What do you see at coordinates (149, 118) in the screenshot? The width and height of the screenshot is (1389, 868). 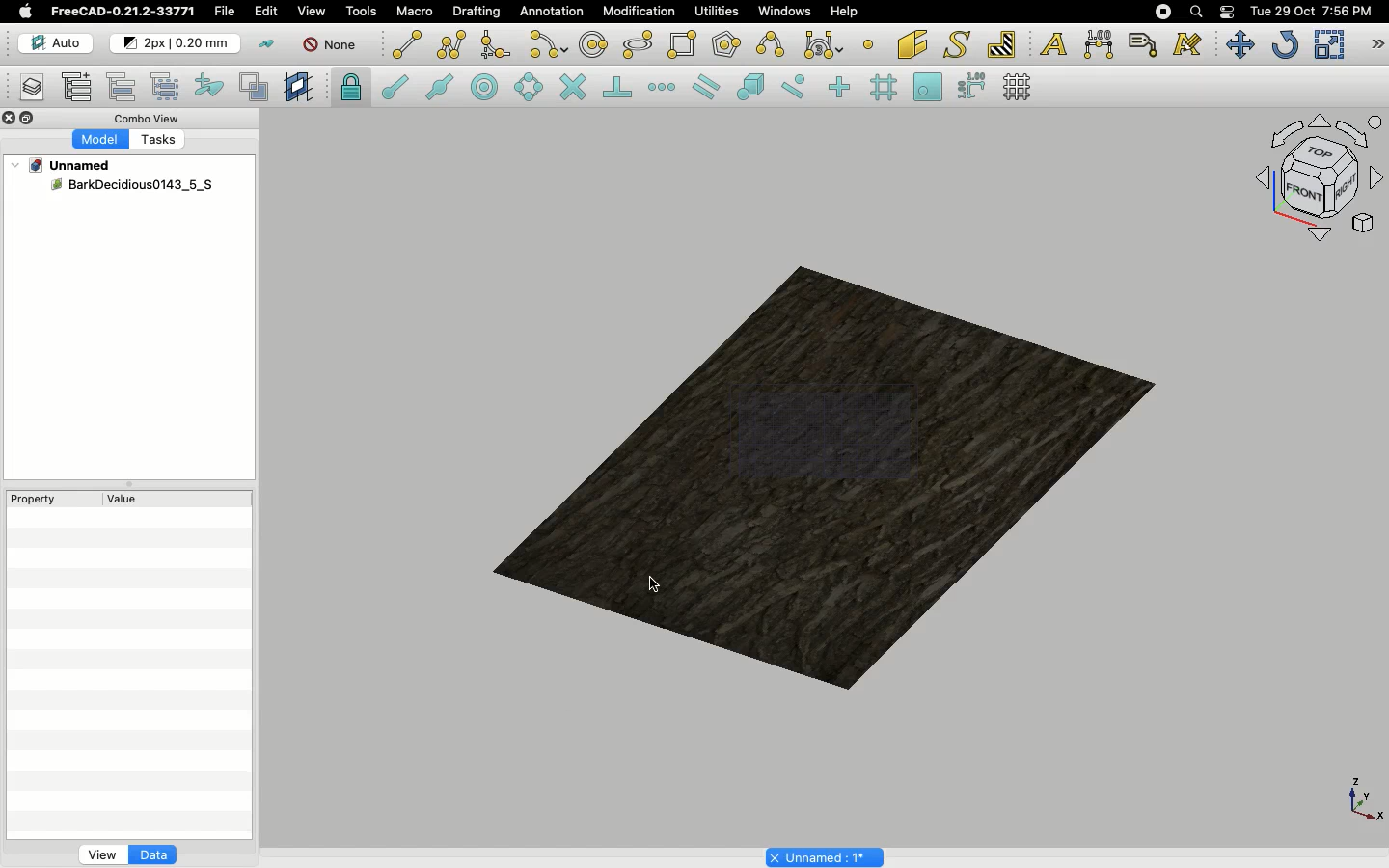 I see `Combo view` at bounding box center [149, 118].